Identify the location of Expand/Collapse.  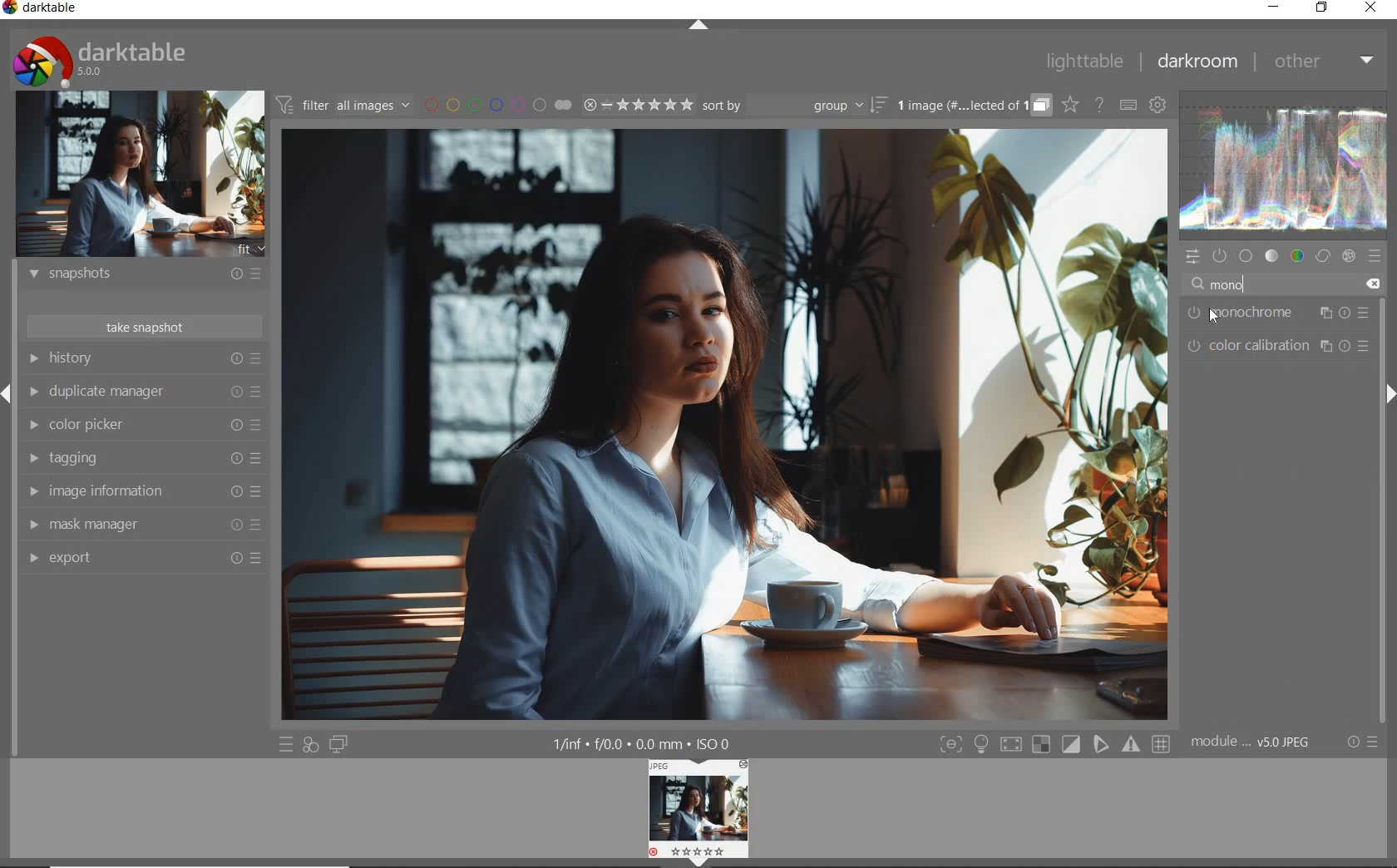
(1389, 394).